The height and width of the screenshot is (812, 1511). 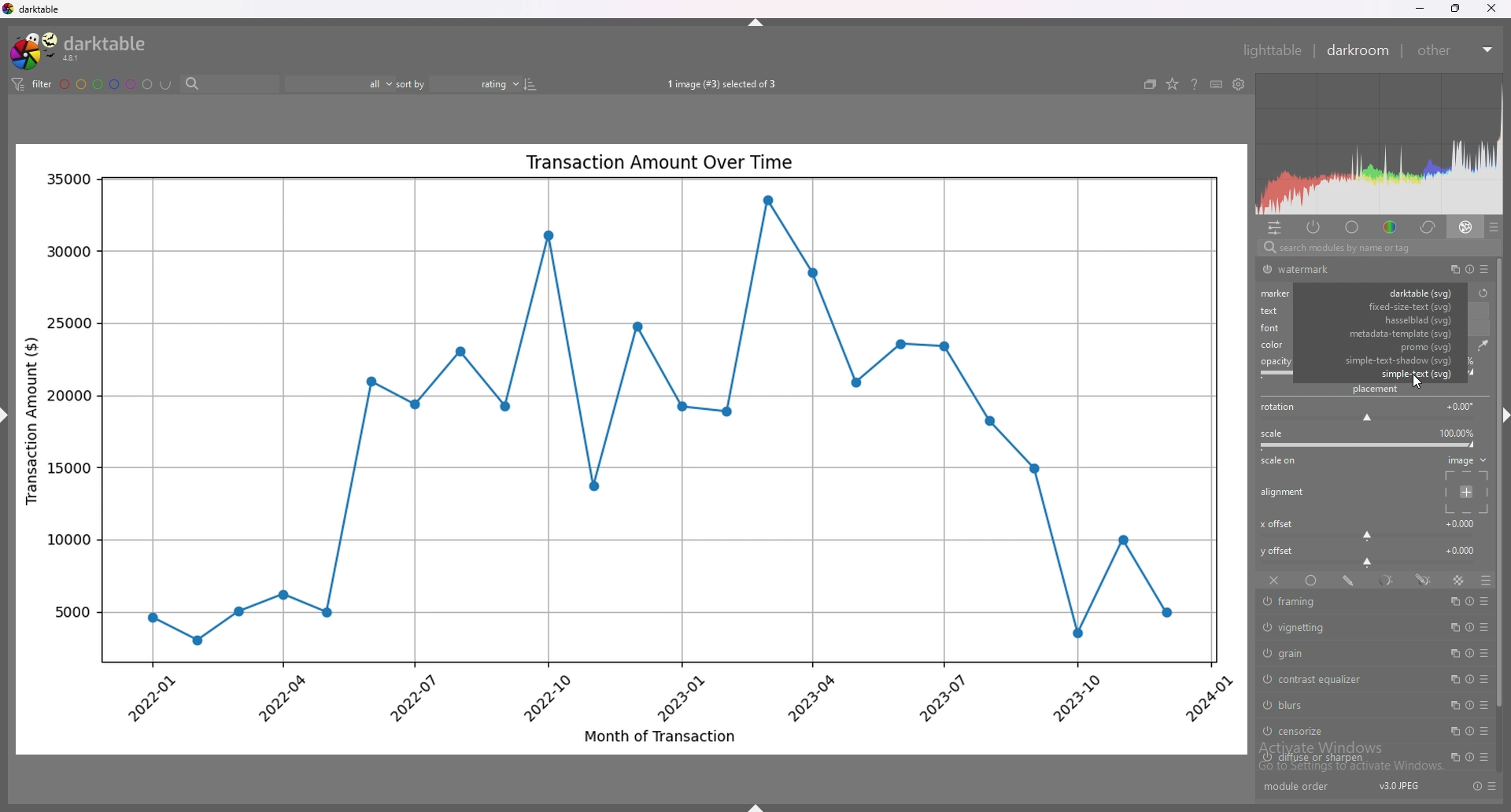 What do you see at coordinates (1425, 580) in the screenshot?
I see `drawn and parametric mask` at bounding box center [1425, 580].